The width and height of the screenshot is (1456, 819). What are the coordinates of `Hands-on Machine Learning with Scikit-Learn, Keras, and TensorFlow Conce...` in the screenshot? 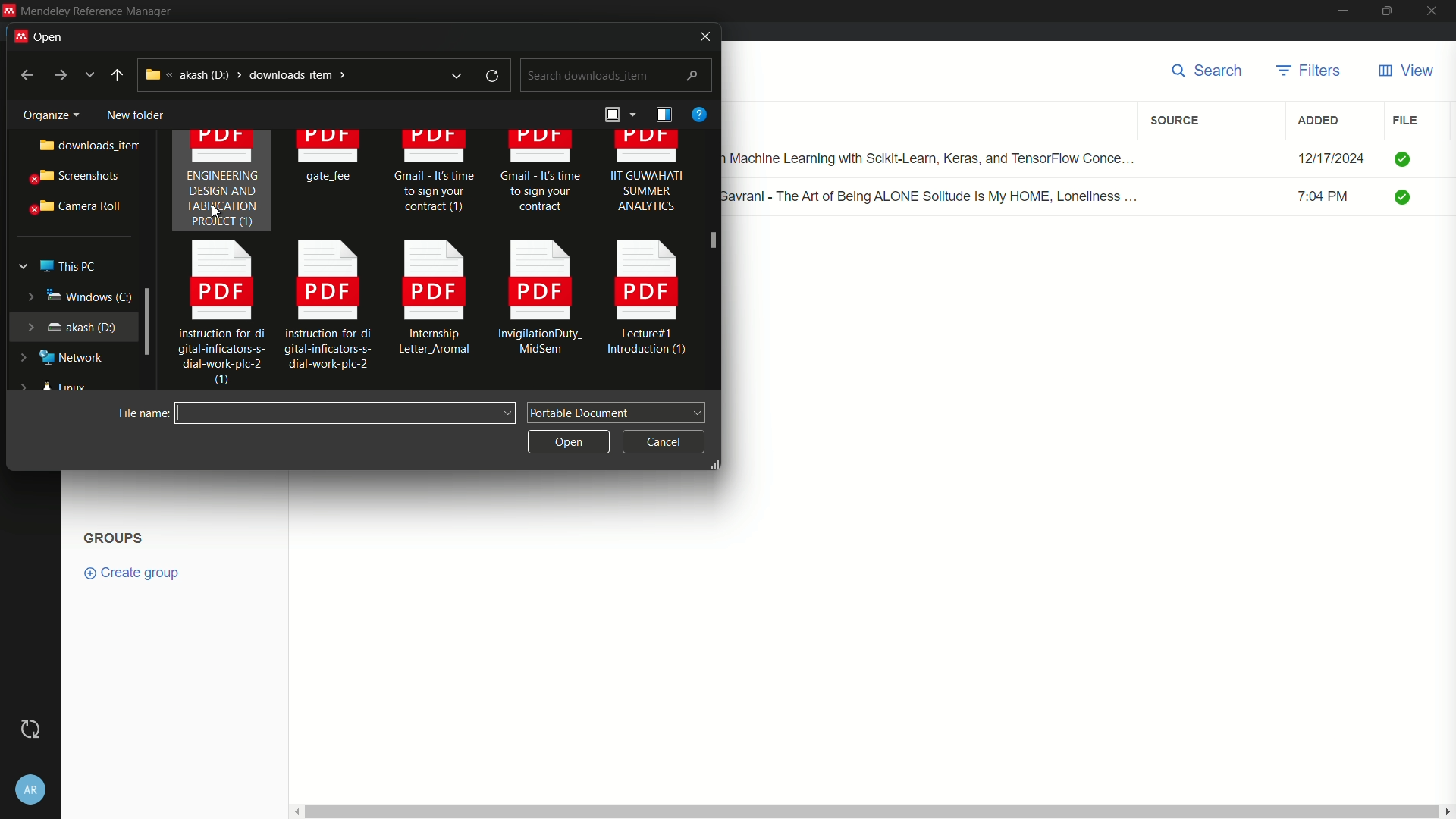 It's located at (937, 155).